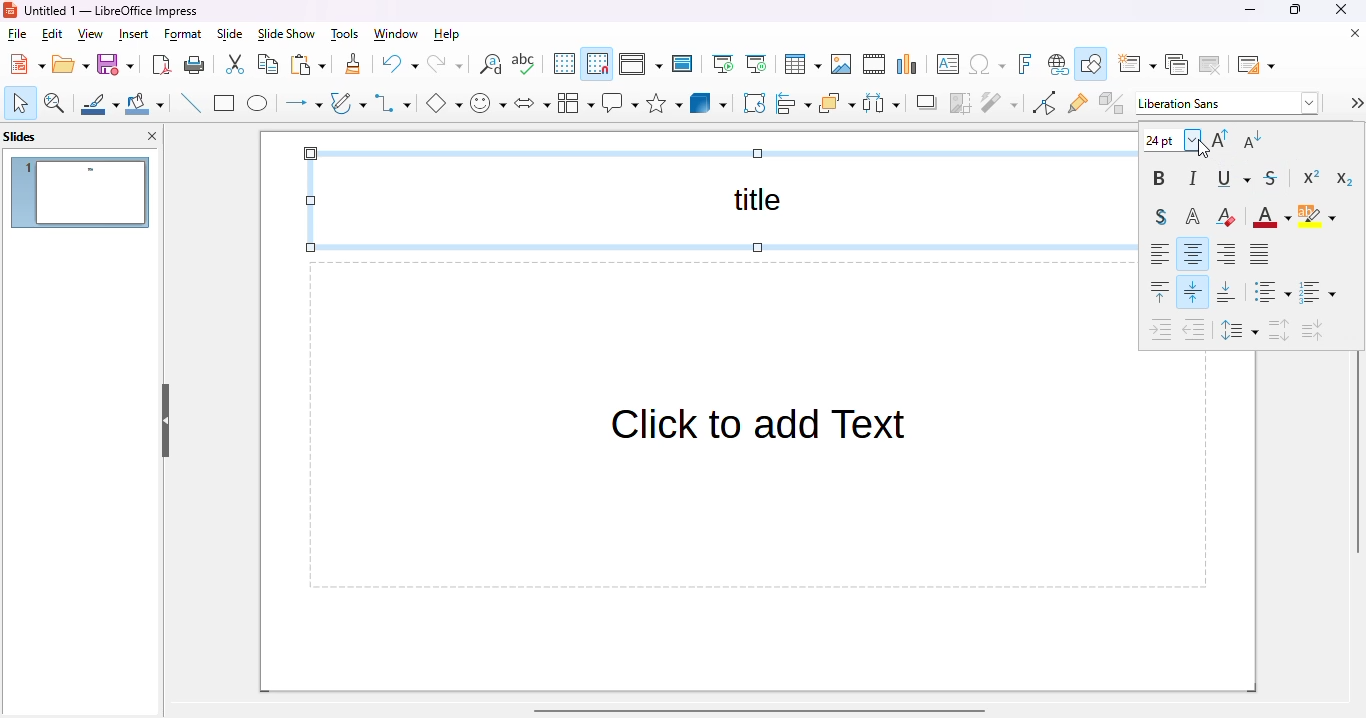 The height and width of the screenshot is (718, 1366). What do you see at coordinates (598, 64) in the screenshot?
I see `snap to grid` at bounding box center [598, 64].